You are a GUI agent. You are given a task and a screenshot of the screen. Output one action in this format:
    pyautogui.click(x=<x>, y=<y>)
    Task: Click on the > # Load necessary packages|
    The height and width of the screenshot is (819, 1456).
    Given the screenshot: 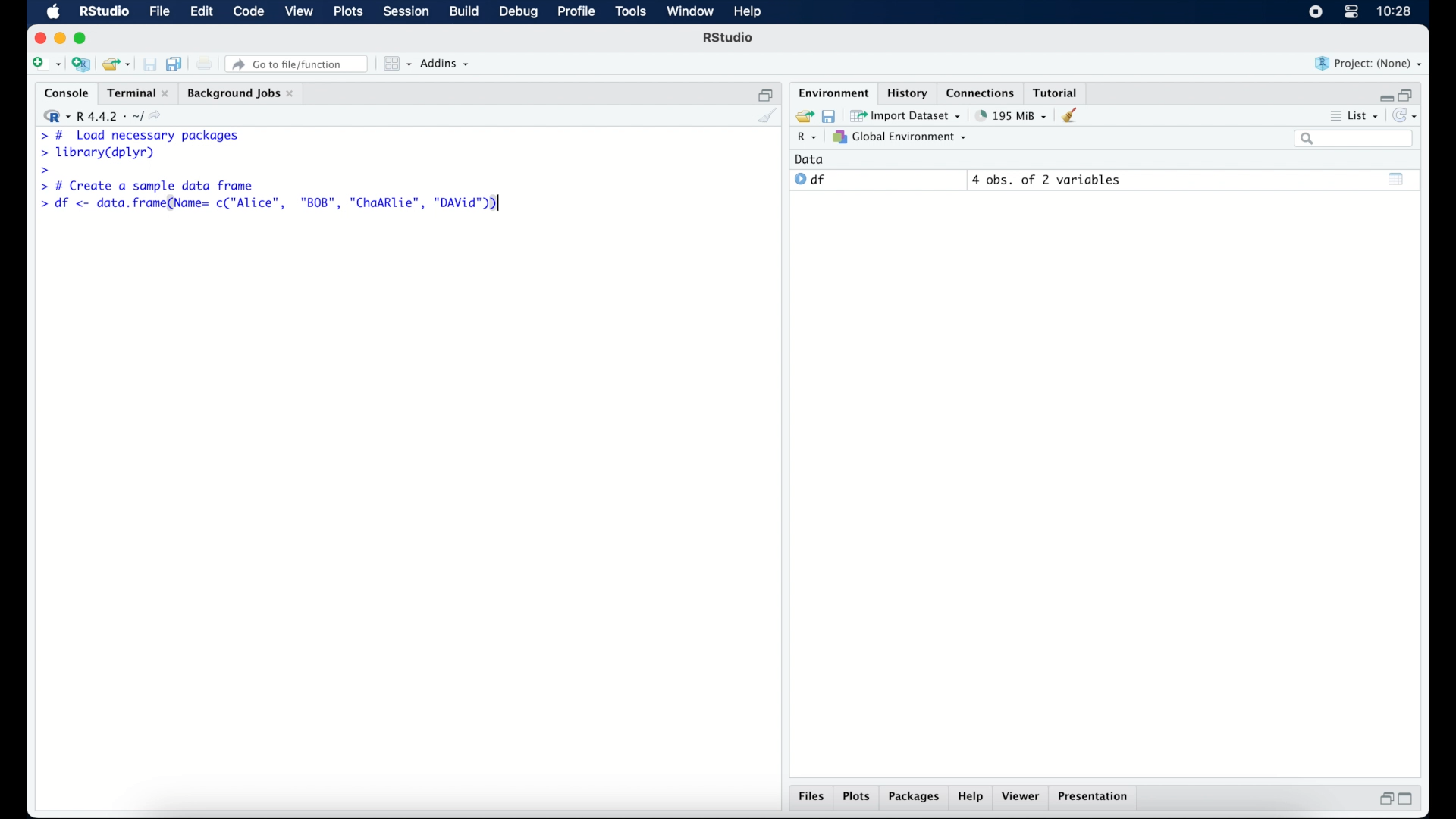 What is the action you would take?
    pyautogui.click(x=138, y=134)
    